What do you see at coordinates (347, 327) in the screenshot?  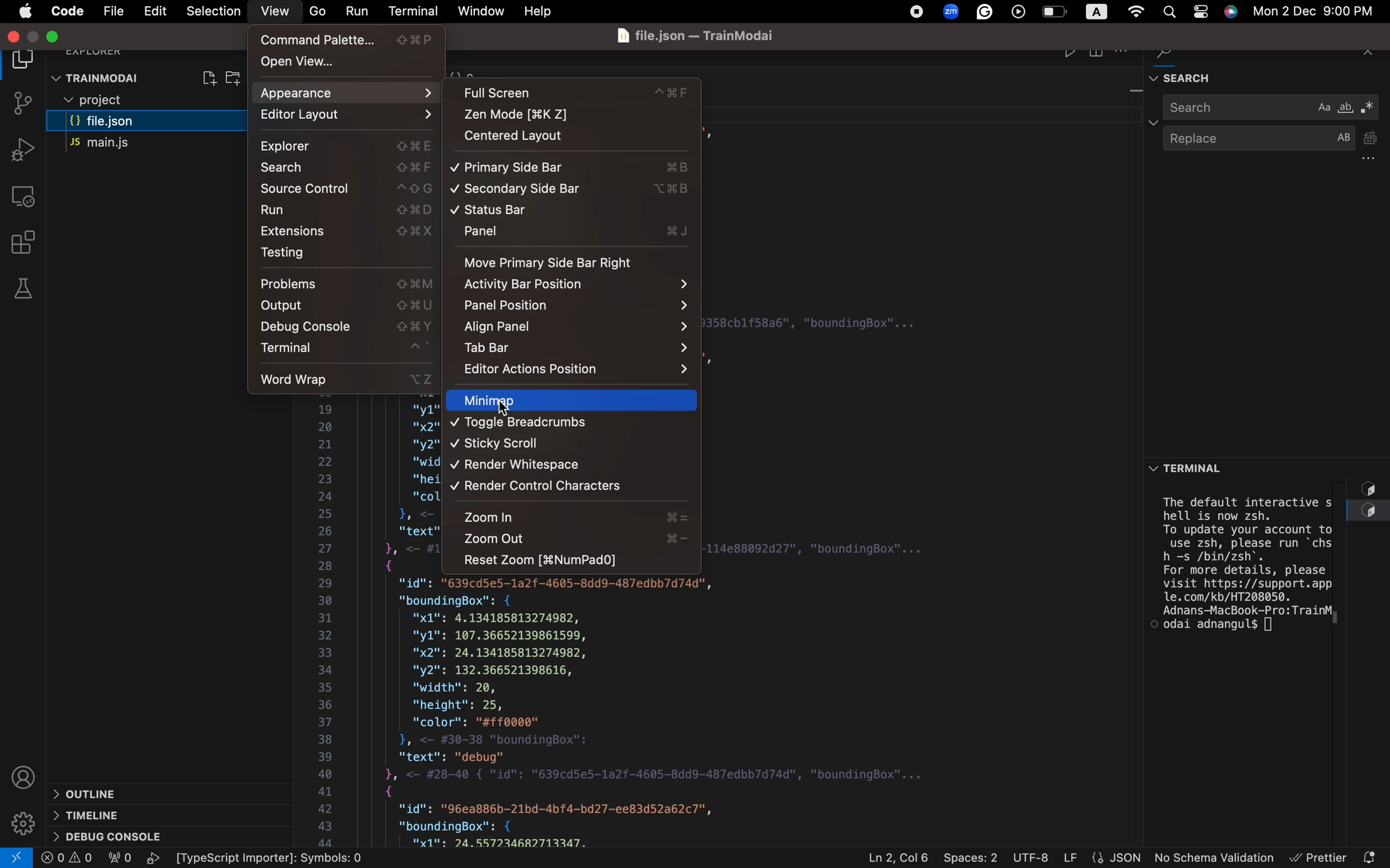 I see `debug console` at bounding box center [347, 327].